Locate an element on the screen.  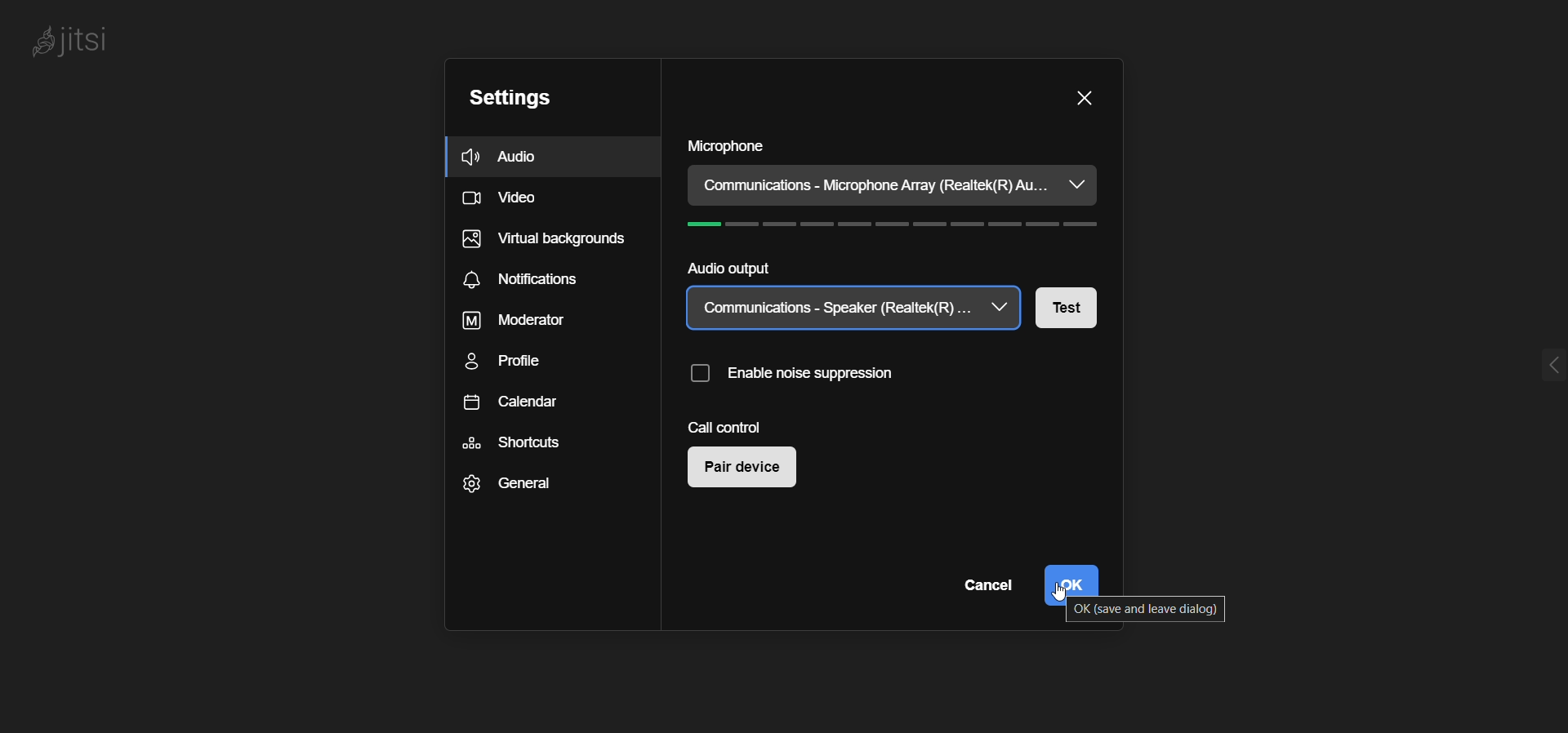
current audio output changed is located at coordinates (836, 309).